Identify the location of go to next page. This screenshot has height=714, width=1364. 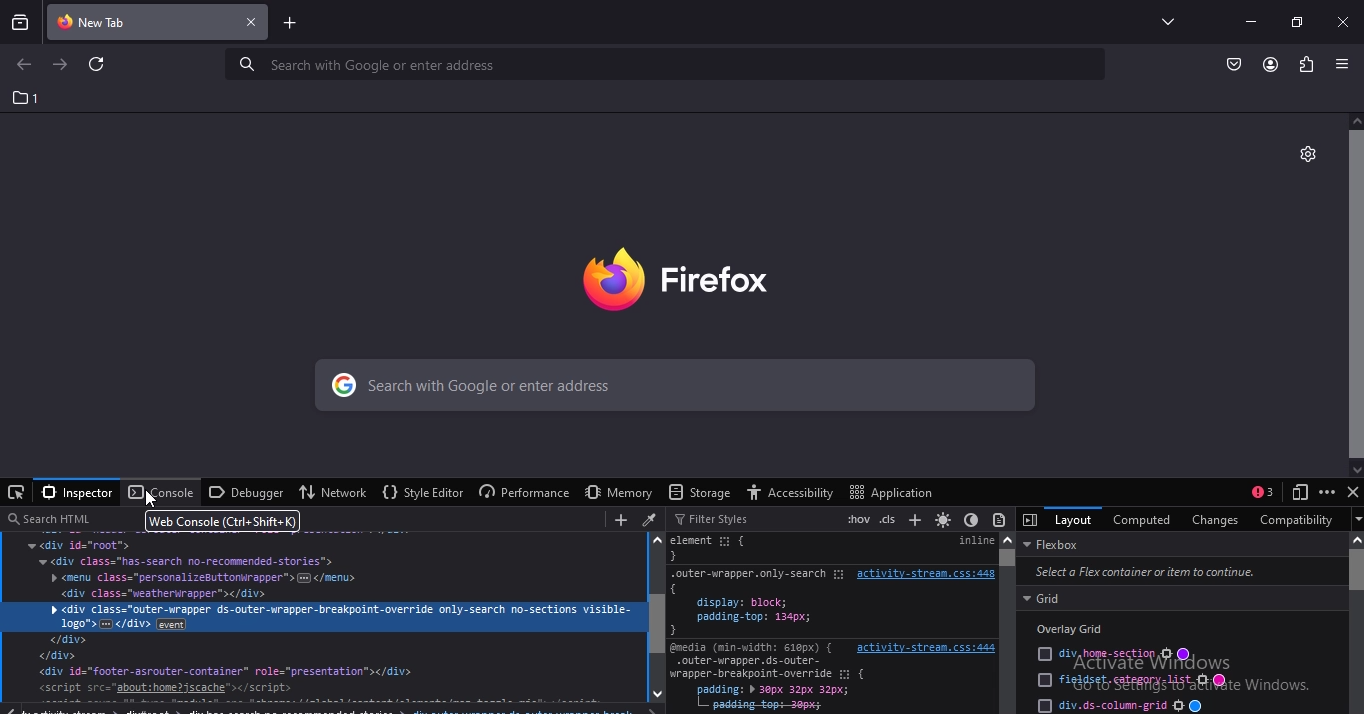
(61, 65).